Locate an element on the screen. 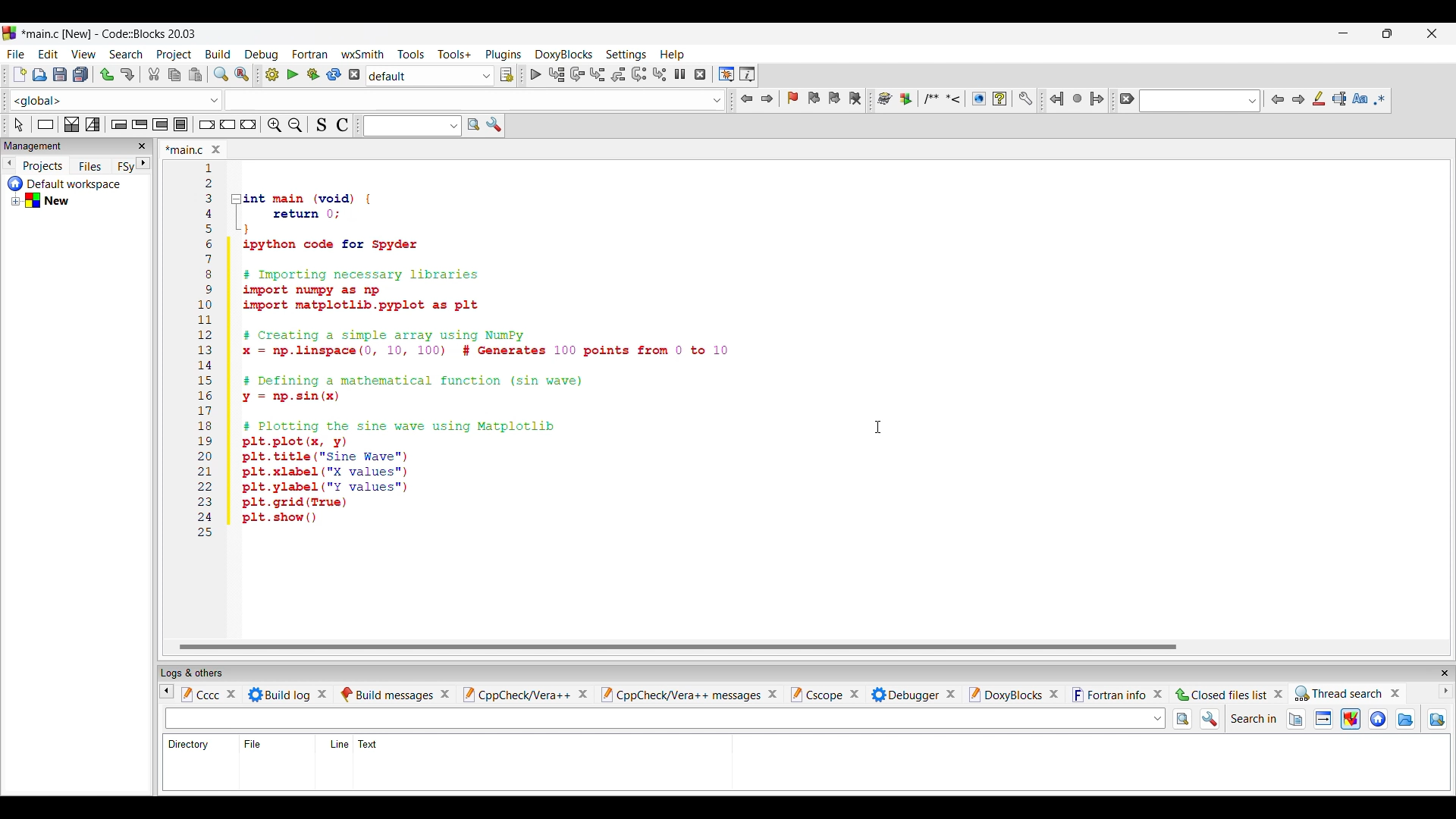  Continue instruction is located at coordinates (230, 124).